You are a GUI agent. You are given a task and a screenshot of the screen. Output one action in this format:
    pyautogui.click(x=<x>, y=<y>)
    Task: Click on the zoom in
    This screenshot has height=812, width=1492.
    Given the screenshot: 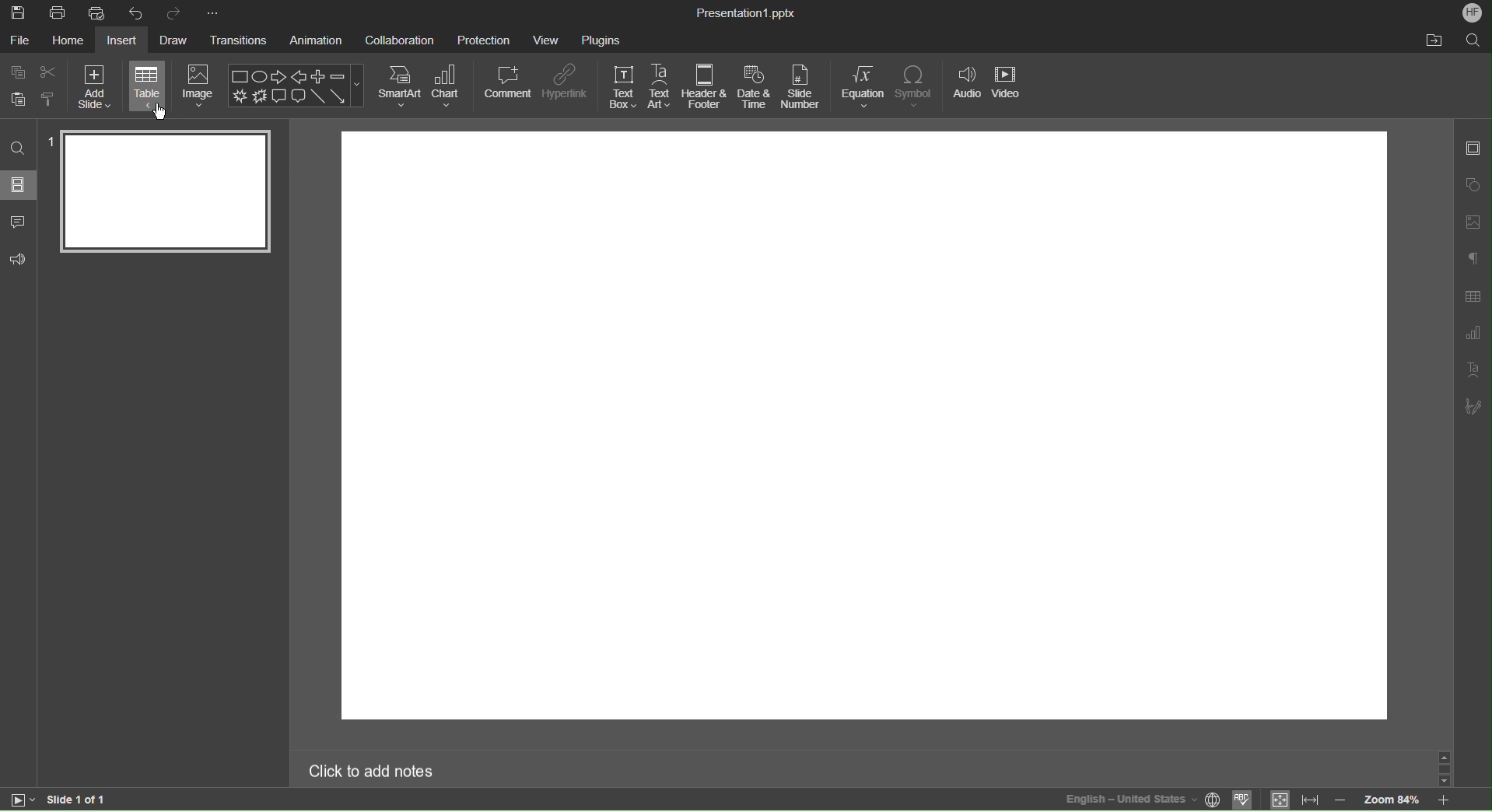 What is the action you would take?
    pyautogui.click(x=1442, y=800)
    